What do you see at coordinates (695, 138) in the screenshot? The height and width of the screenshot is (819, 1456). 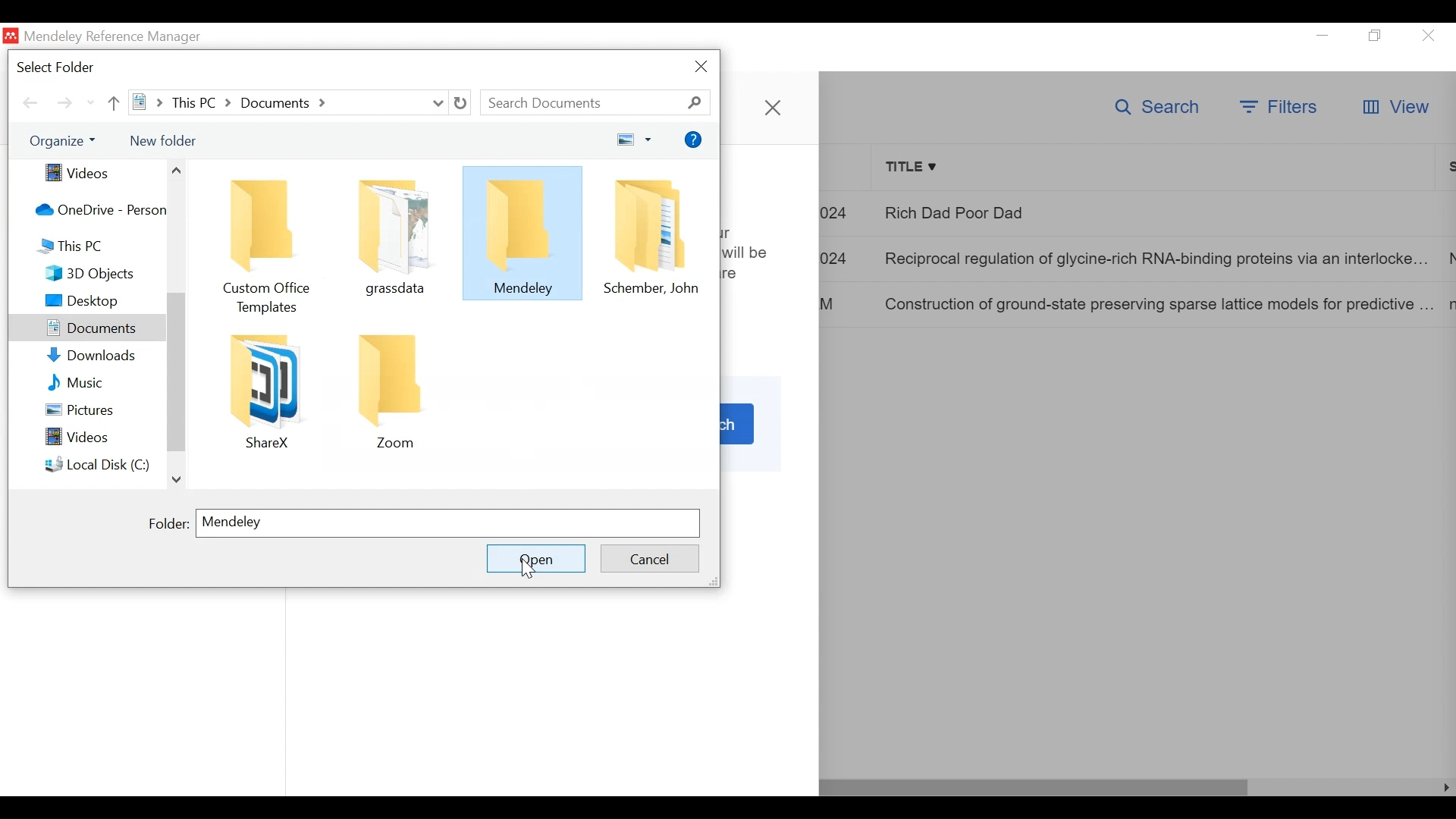 I see `Help` at bounding box center [695, 138].